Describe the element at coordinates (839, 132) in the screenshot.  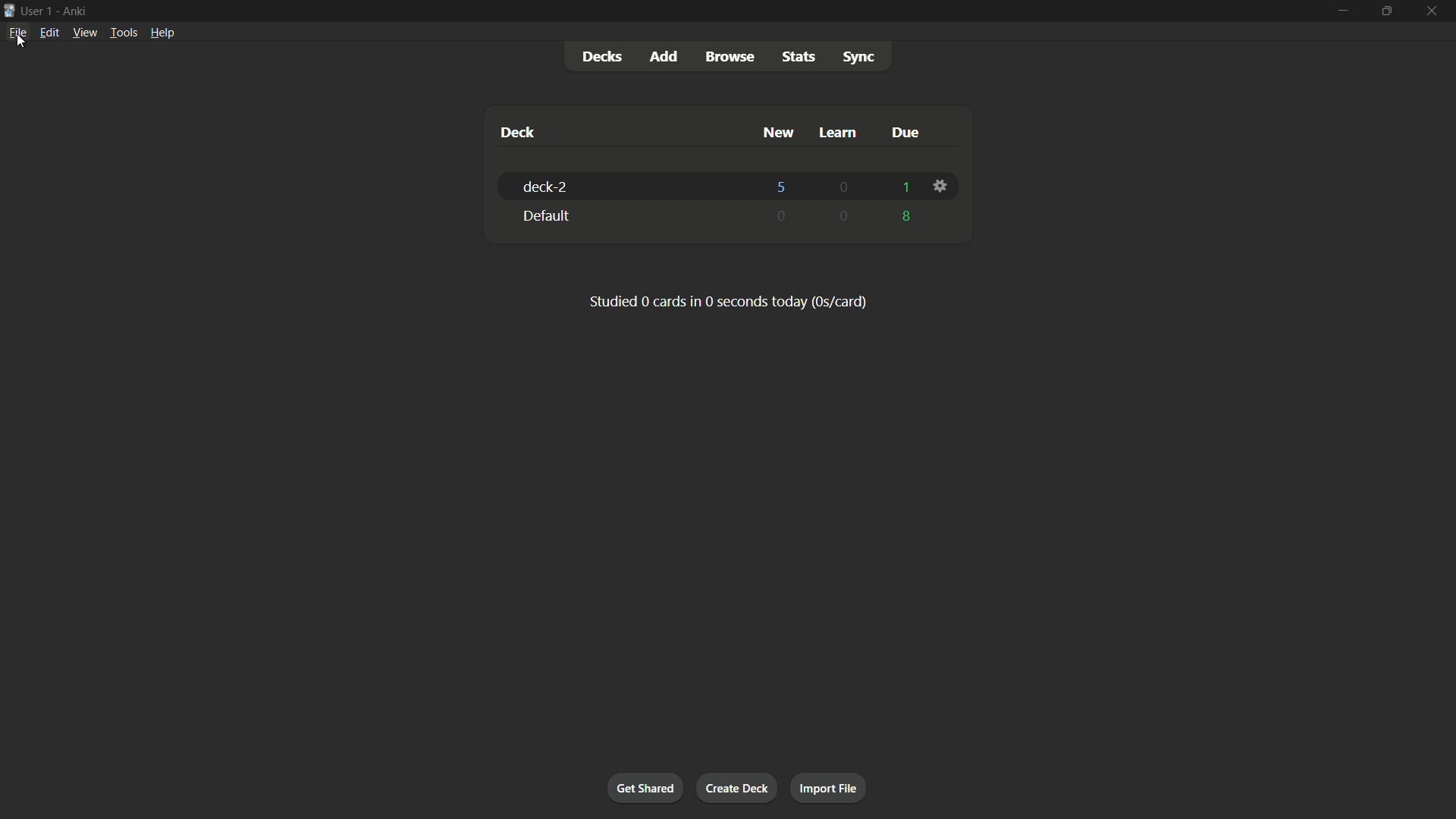
I see `Learn` at that location.